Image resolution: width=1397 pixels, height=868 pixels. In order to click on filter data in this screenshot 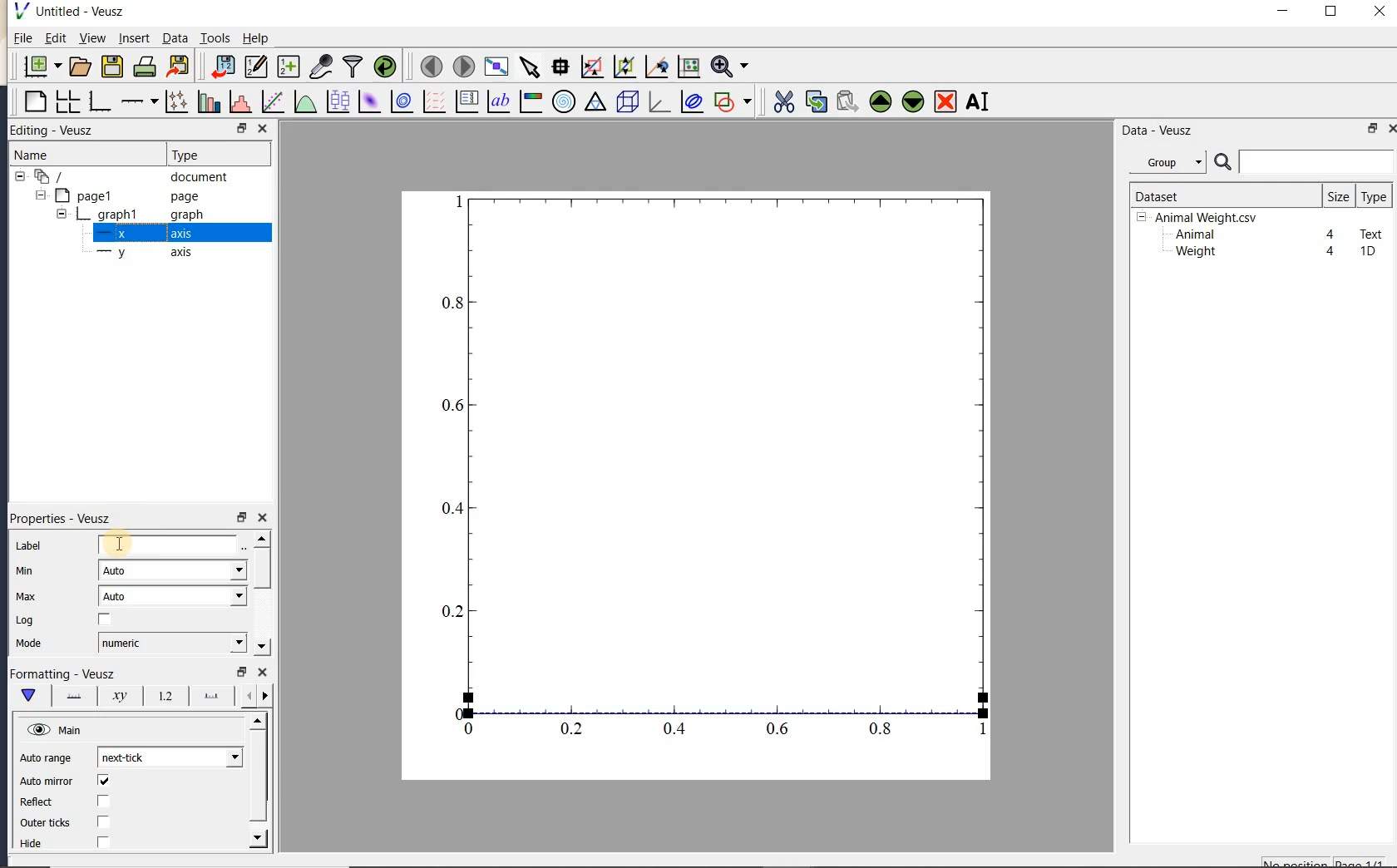, I will do `click(353, 65)`.